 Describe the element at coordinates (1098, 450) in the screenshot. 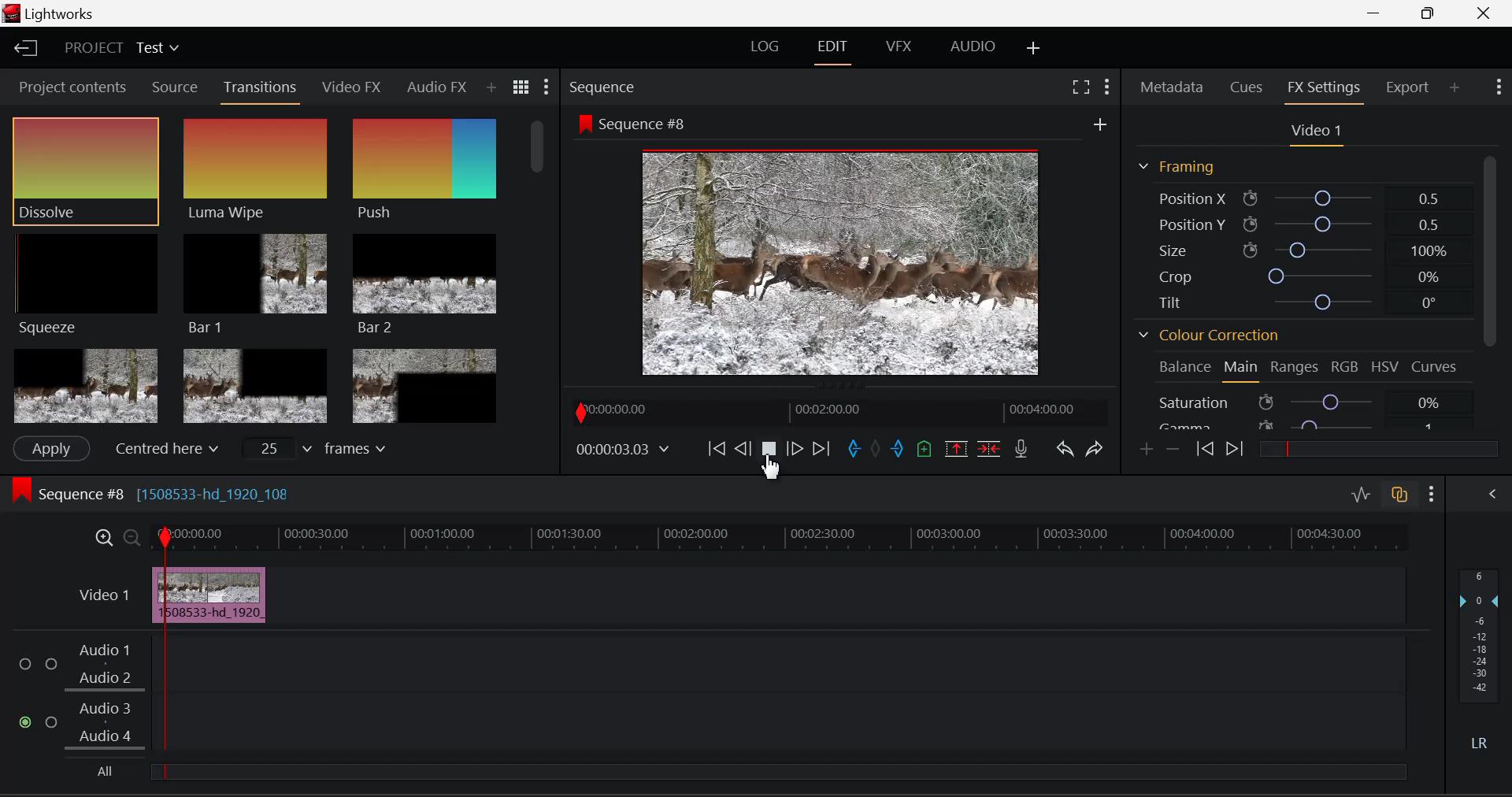

I see `Redo` at that location.